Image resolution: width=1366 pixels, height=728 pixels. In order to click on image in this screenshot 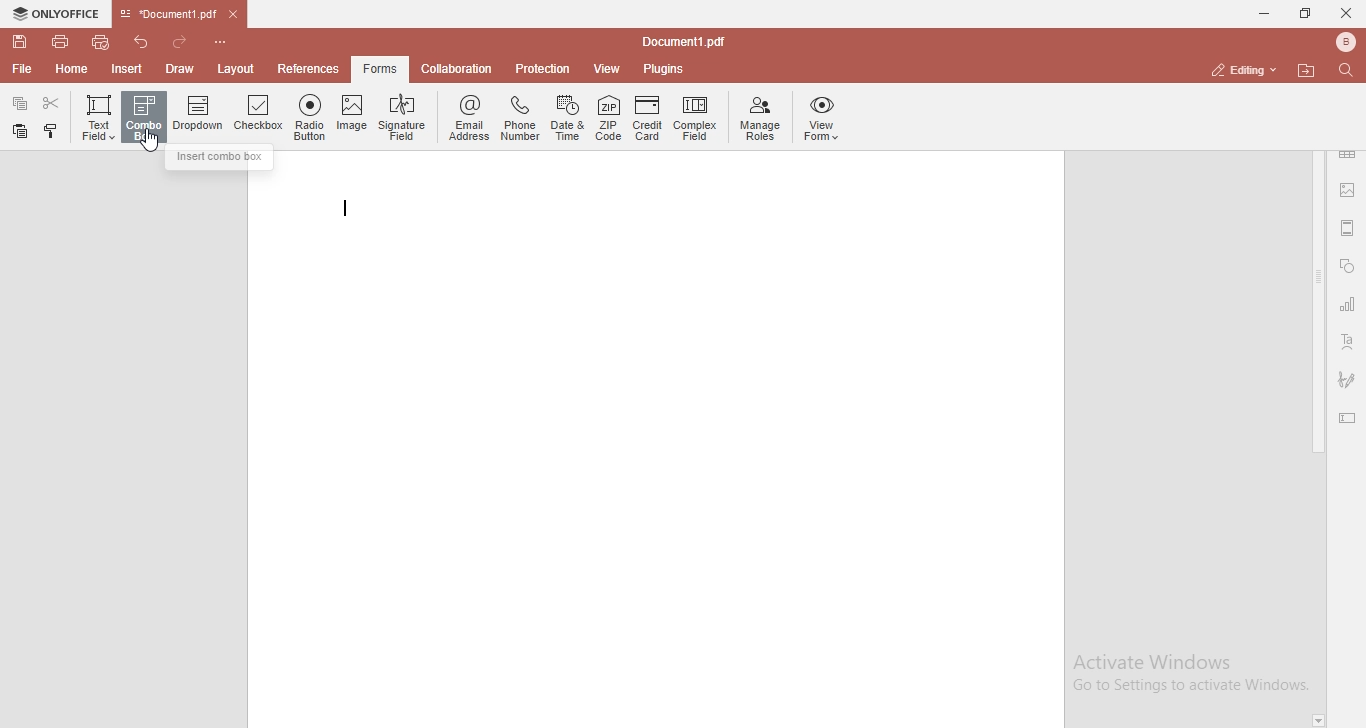, I will do `click(352, 117)`.